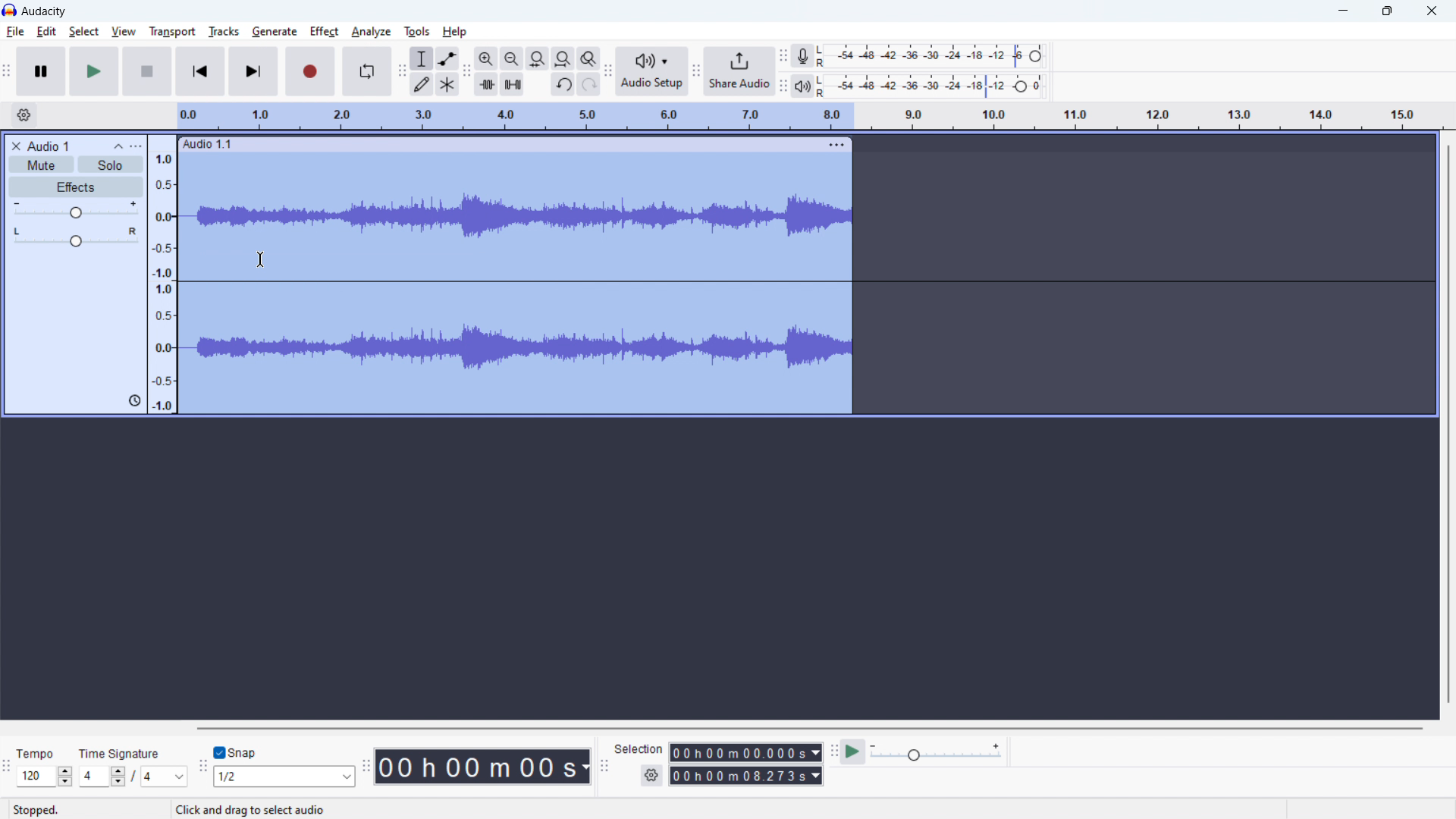 The width and height of the screenshot is (1456, 819). Describe the element at coordinates (148, 71) in the screenshot. I see `stop` at that location.